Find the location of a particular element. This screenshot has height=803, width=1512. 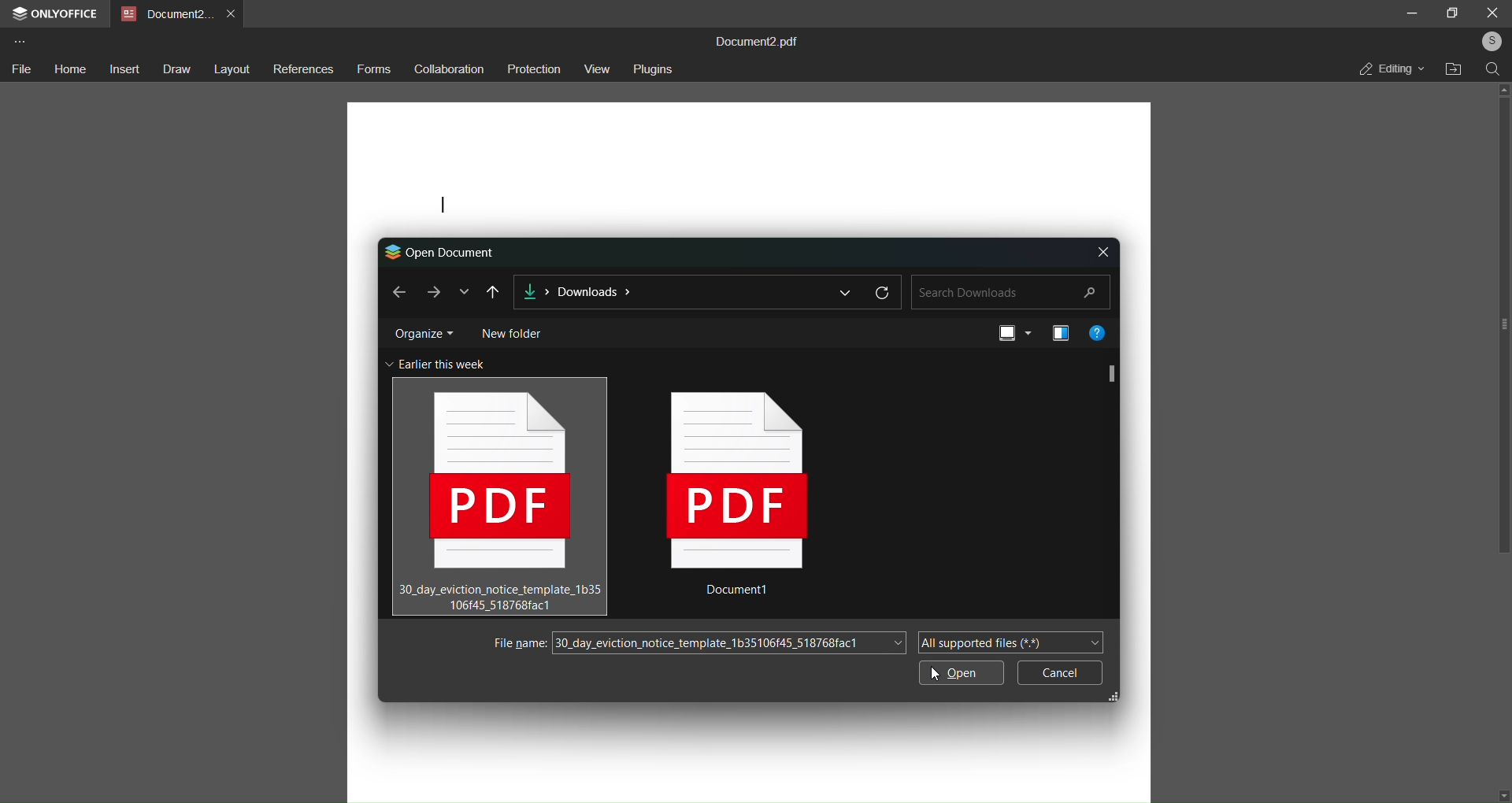

insert is located at coordinates (122, 68).